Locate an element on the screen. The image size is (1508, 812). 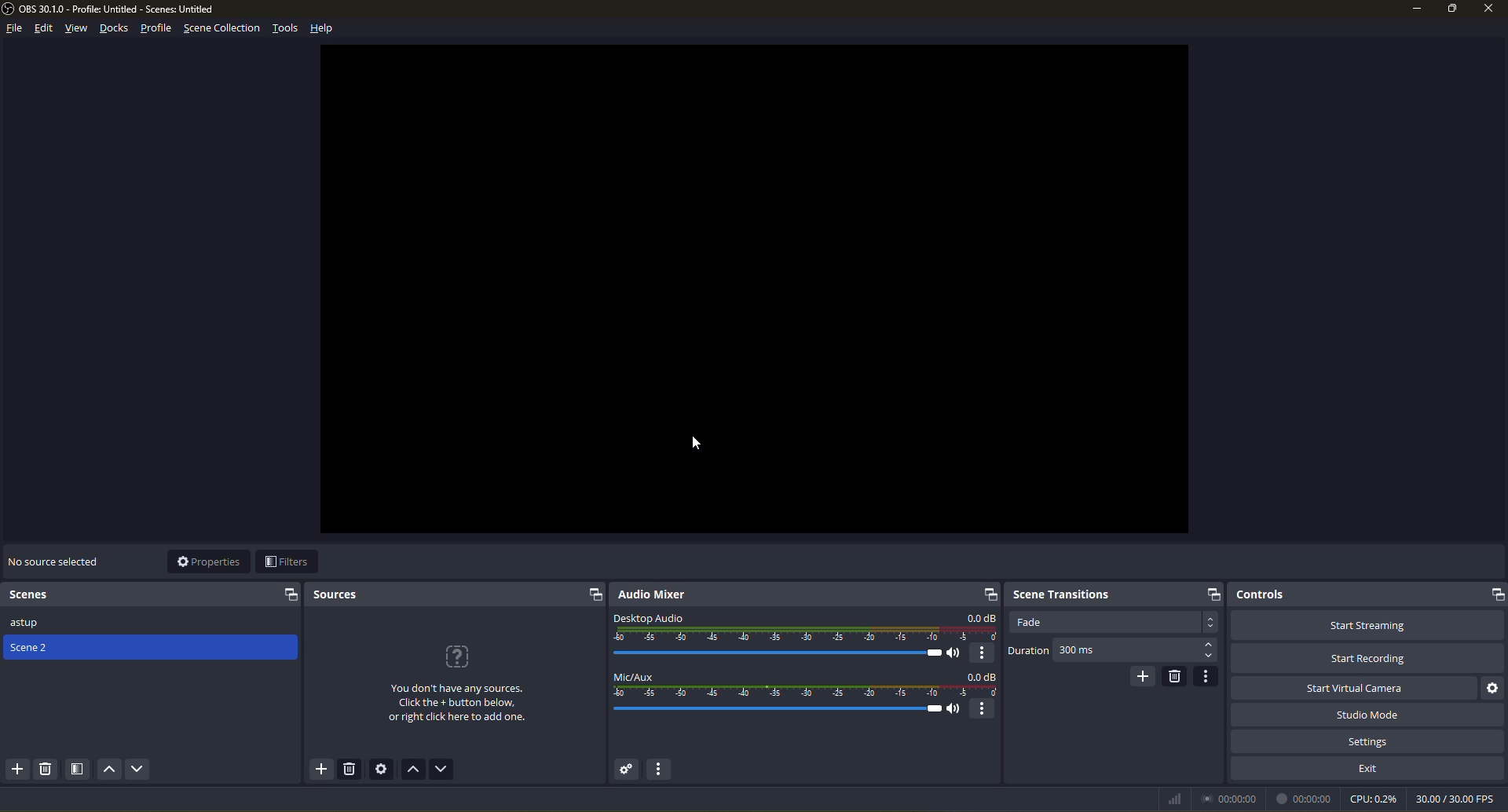
properties is located at coordinates (210, 561).